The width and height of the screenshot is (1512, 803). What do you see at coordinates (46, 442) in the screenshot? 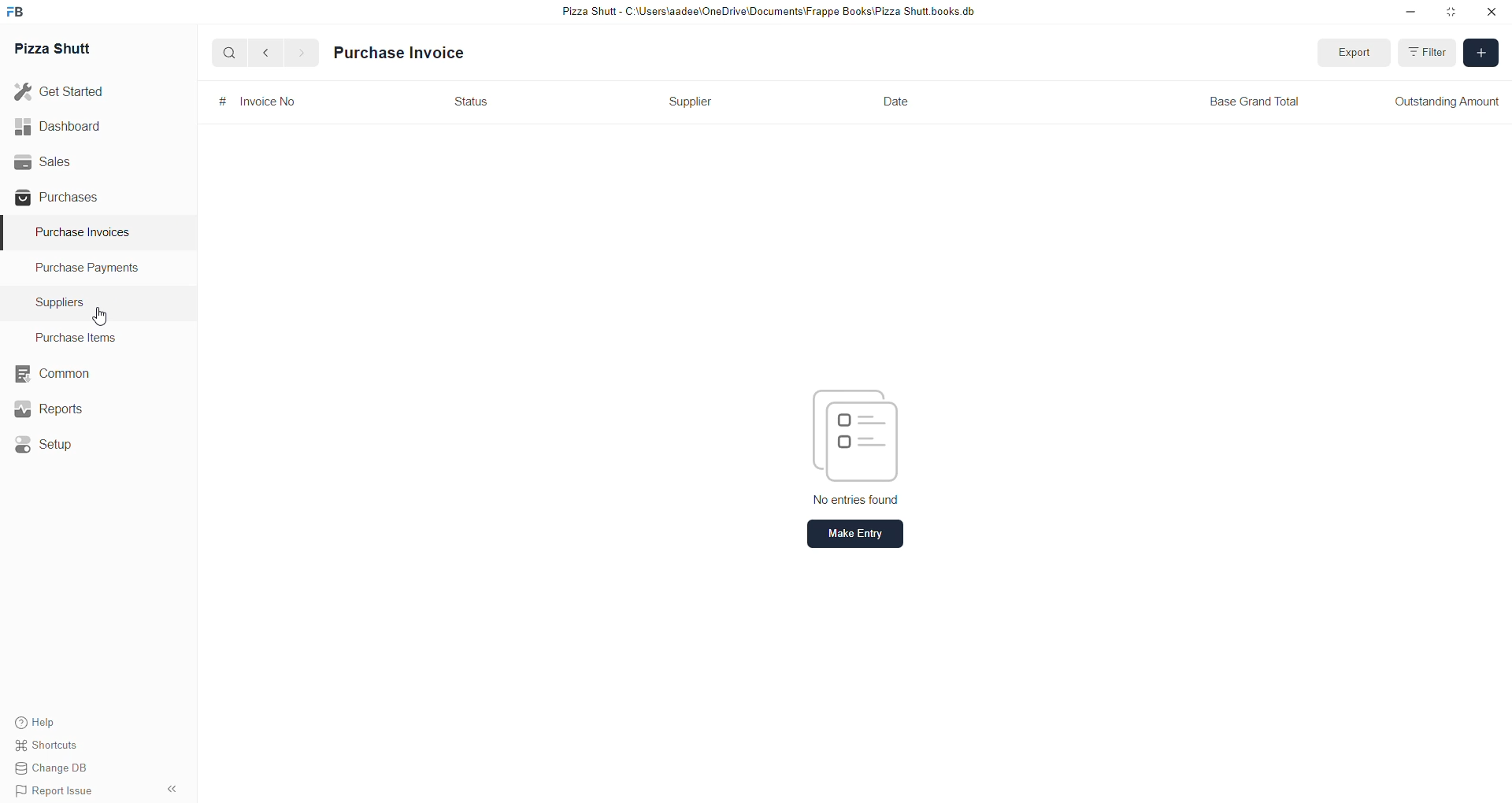
I see `Setup` at bounding box center [46, 442].